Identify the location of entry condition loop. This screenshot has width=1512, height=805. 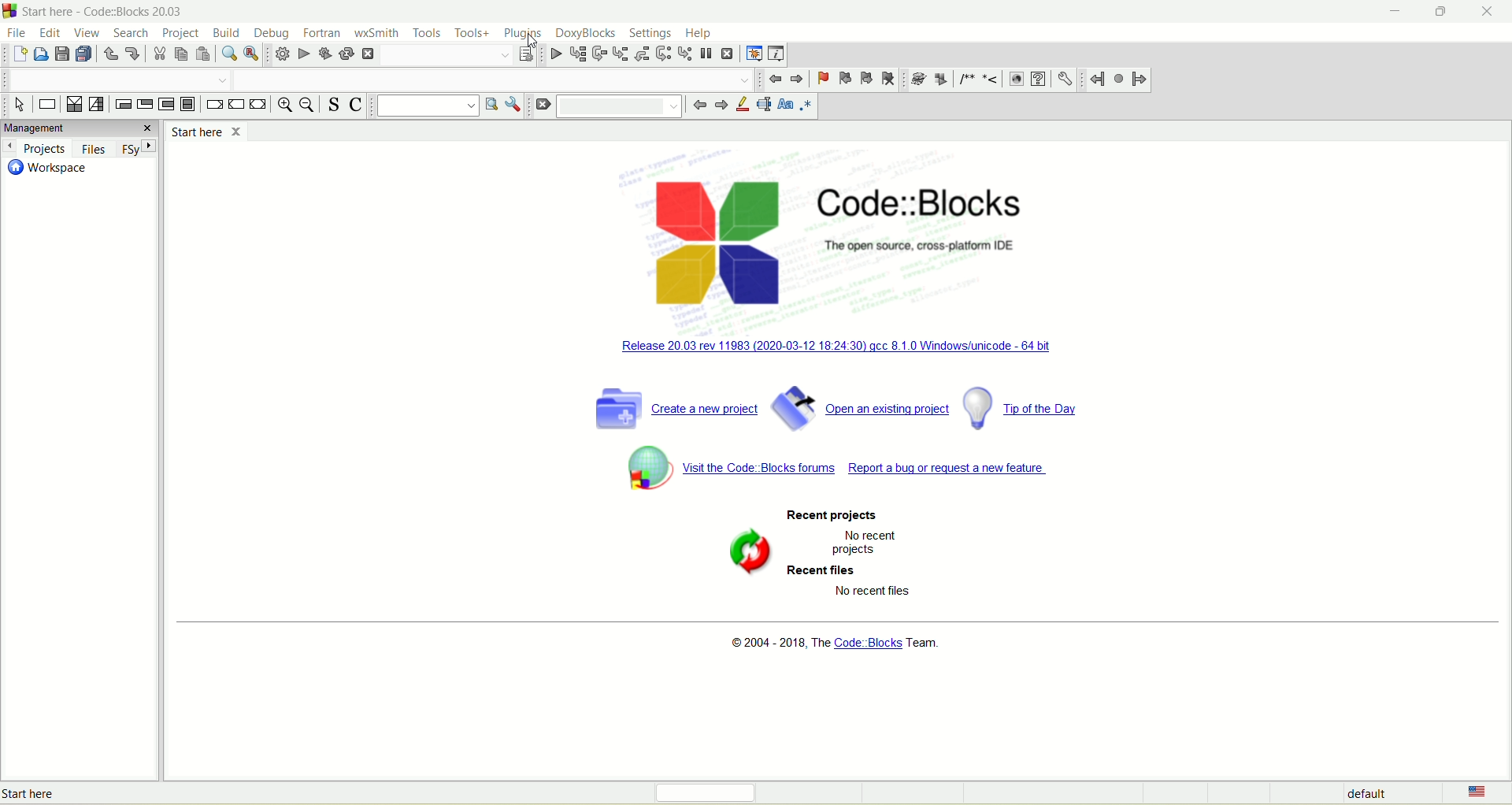
(121, 105).